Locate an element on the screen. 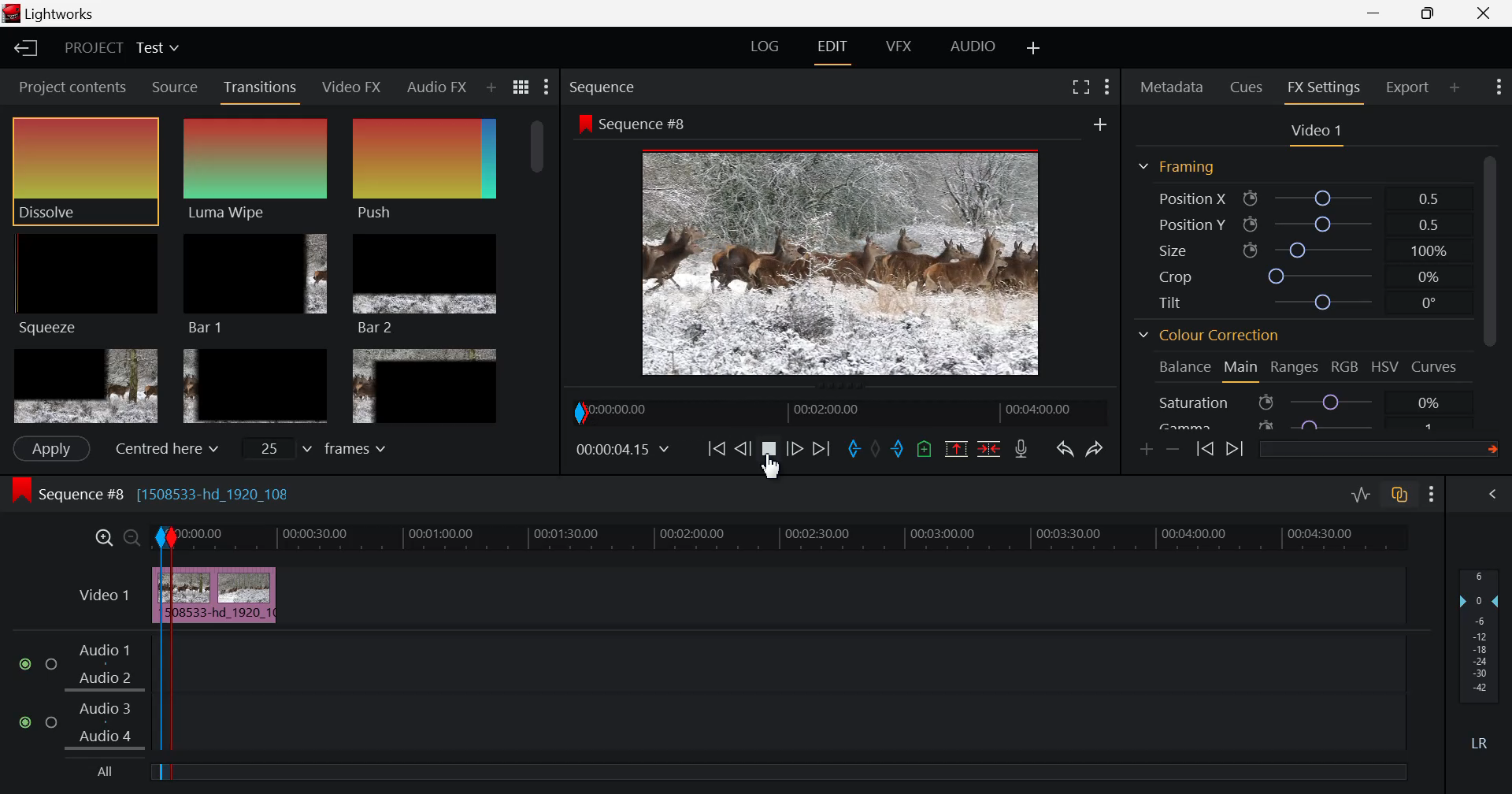 The image size is (1512, 794). Timeline Zoom Out is located at coordinates (132, 540).